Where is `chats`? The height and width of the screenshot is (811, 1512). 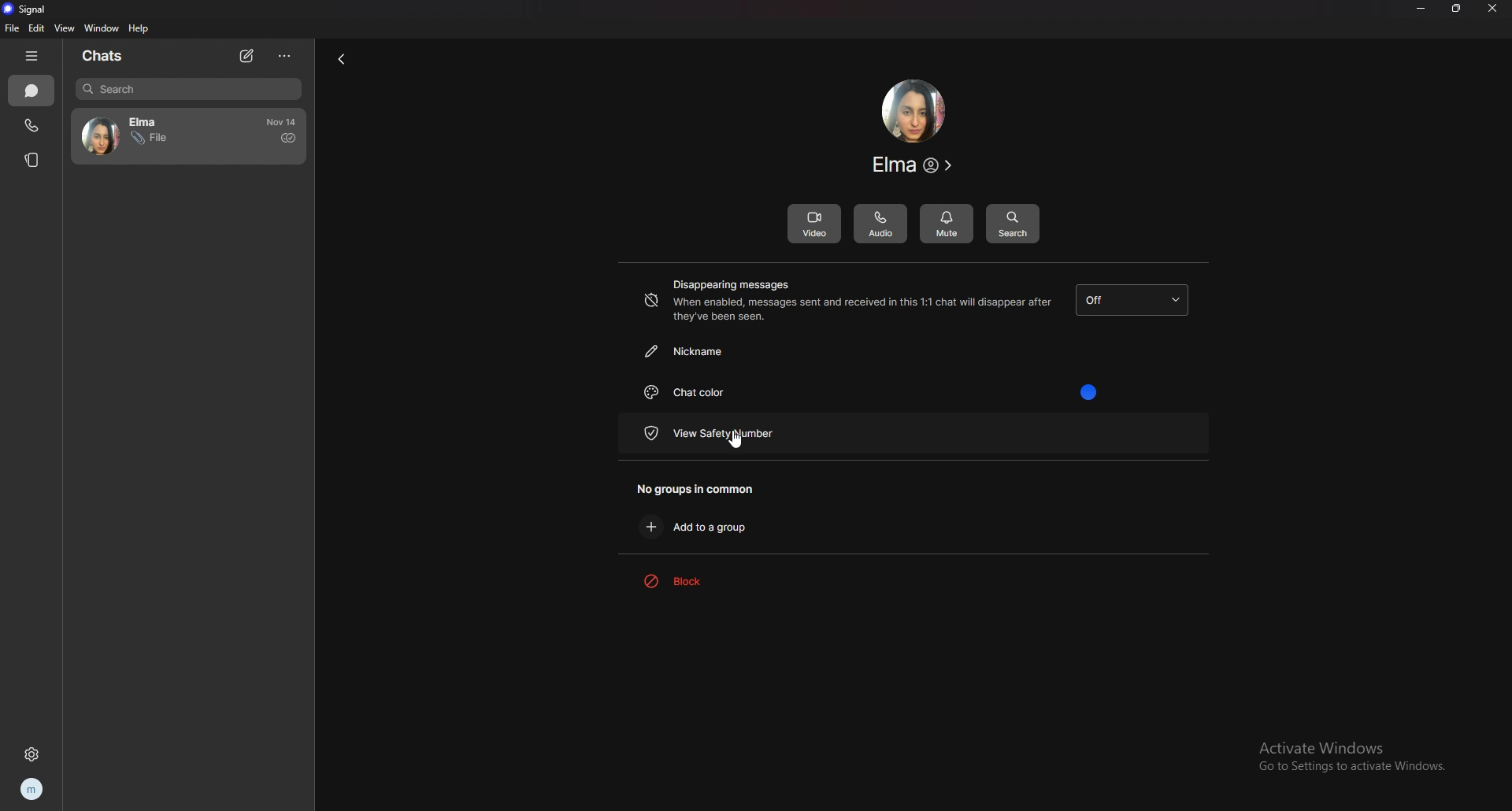
chats is located at coordinates (31, 91).